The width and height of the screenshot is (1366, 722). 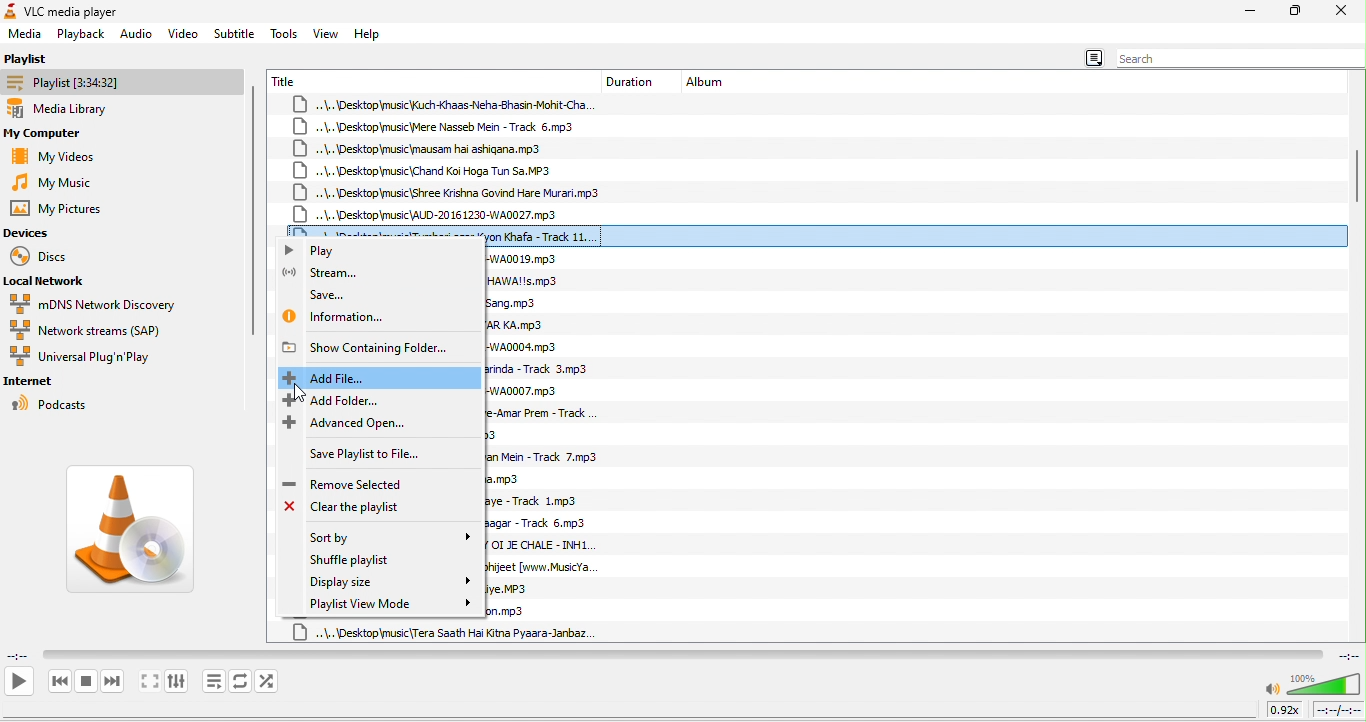 I want to click on elapsed time, so click(x=20, y=654).